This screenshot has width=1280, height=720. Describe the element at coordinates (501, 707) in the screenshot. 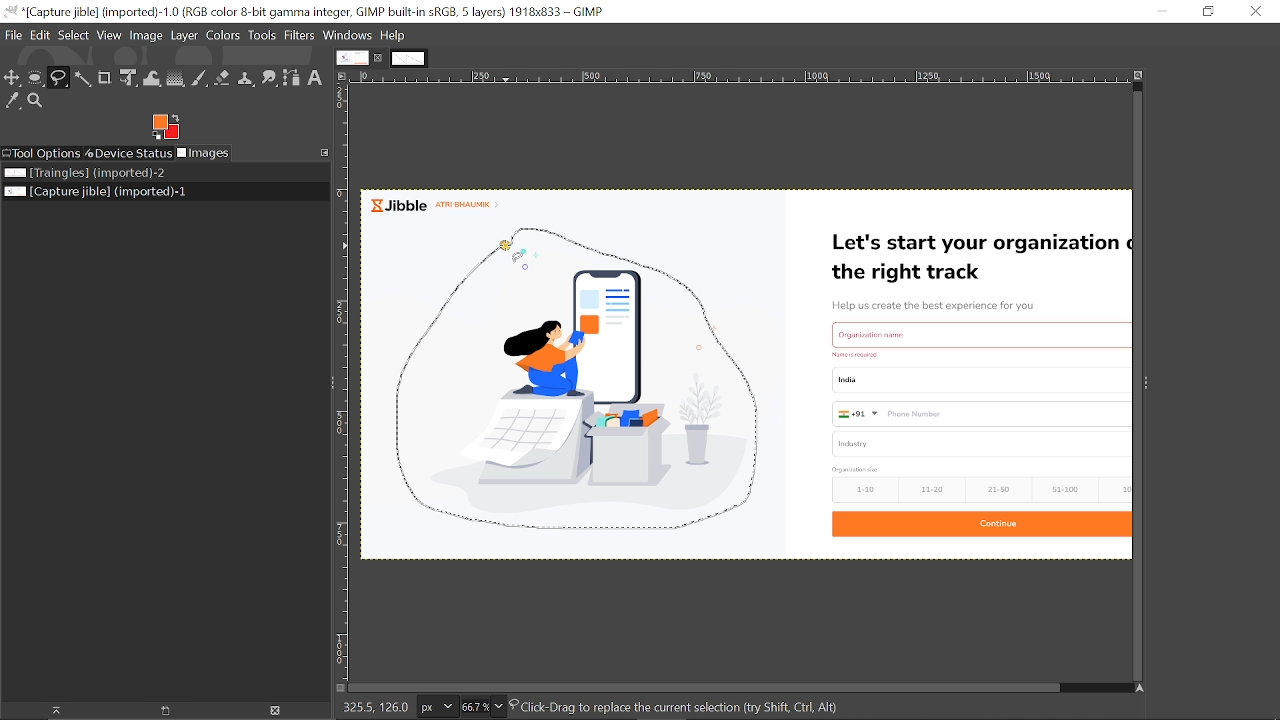

I see `Zoom options` at that location.